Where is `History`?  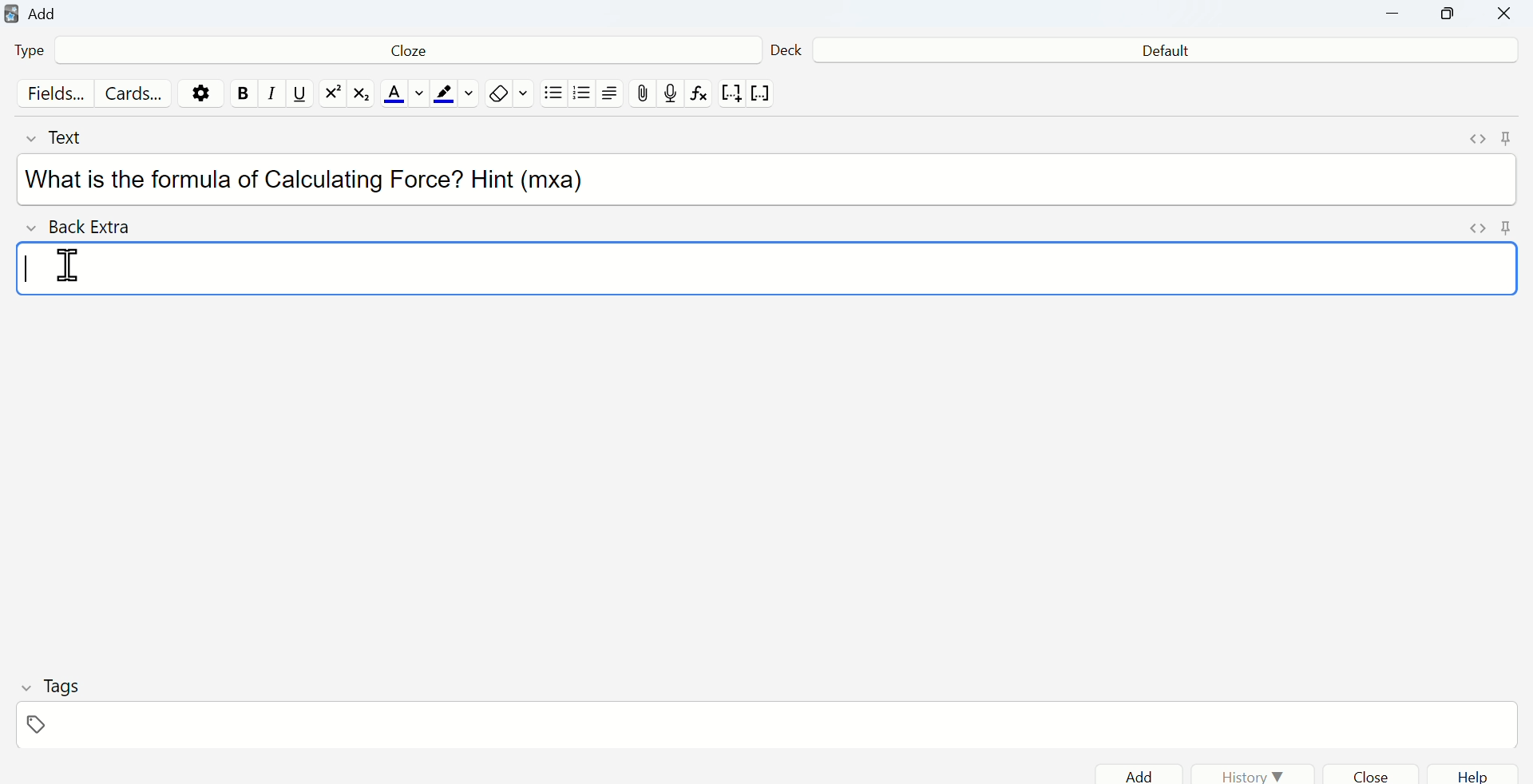
History is located at coordinates (1254, 775).